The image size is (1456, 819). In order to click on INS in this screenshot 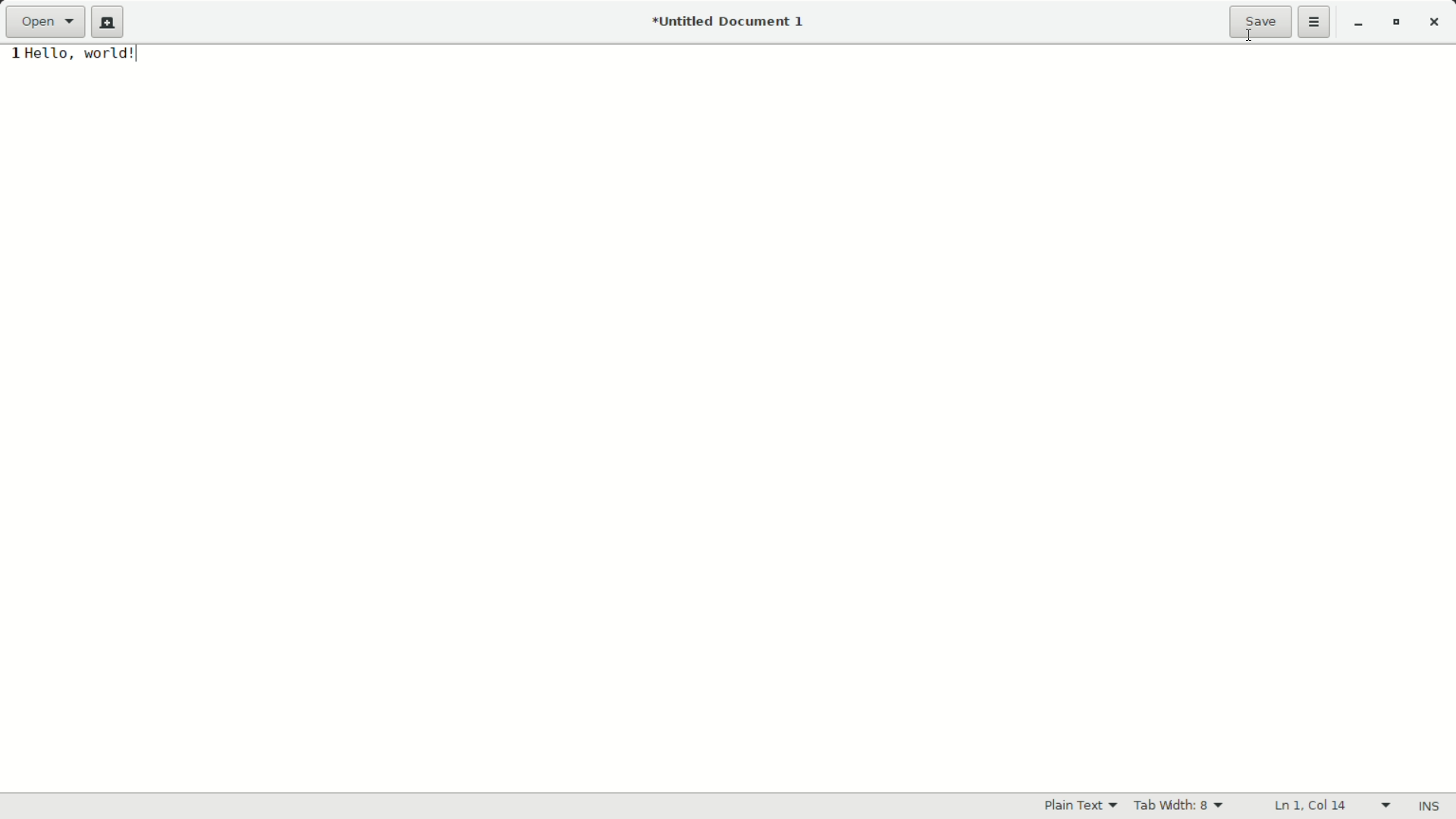, I will do `click(1430, 805)`.